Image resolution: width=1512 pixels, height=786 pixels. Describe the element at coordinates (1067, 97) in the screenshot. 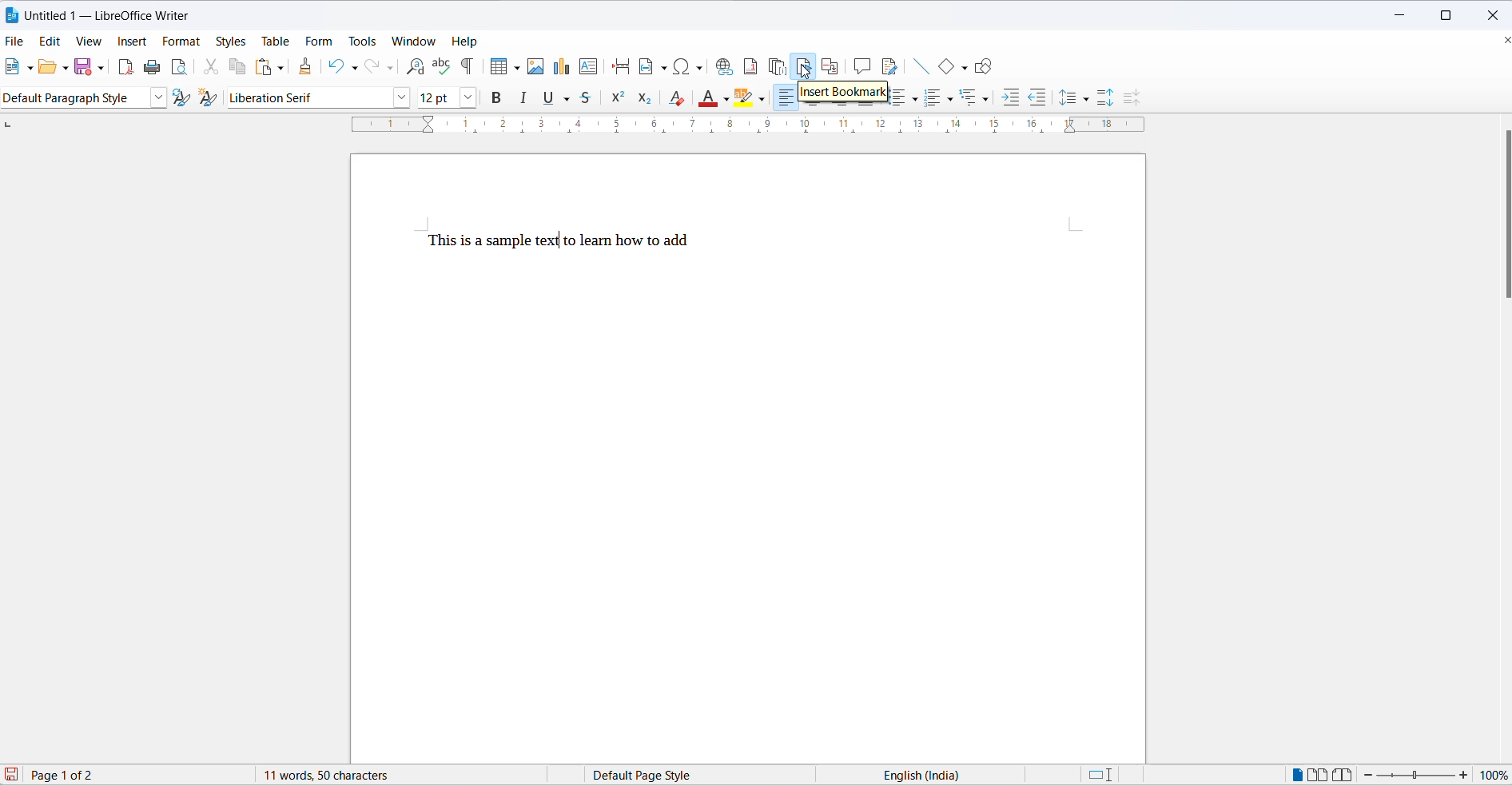

I see `line spacing` at that location.